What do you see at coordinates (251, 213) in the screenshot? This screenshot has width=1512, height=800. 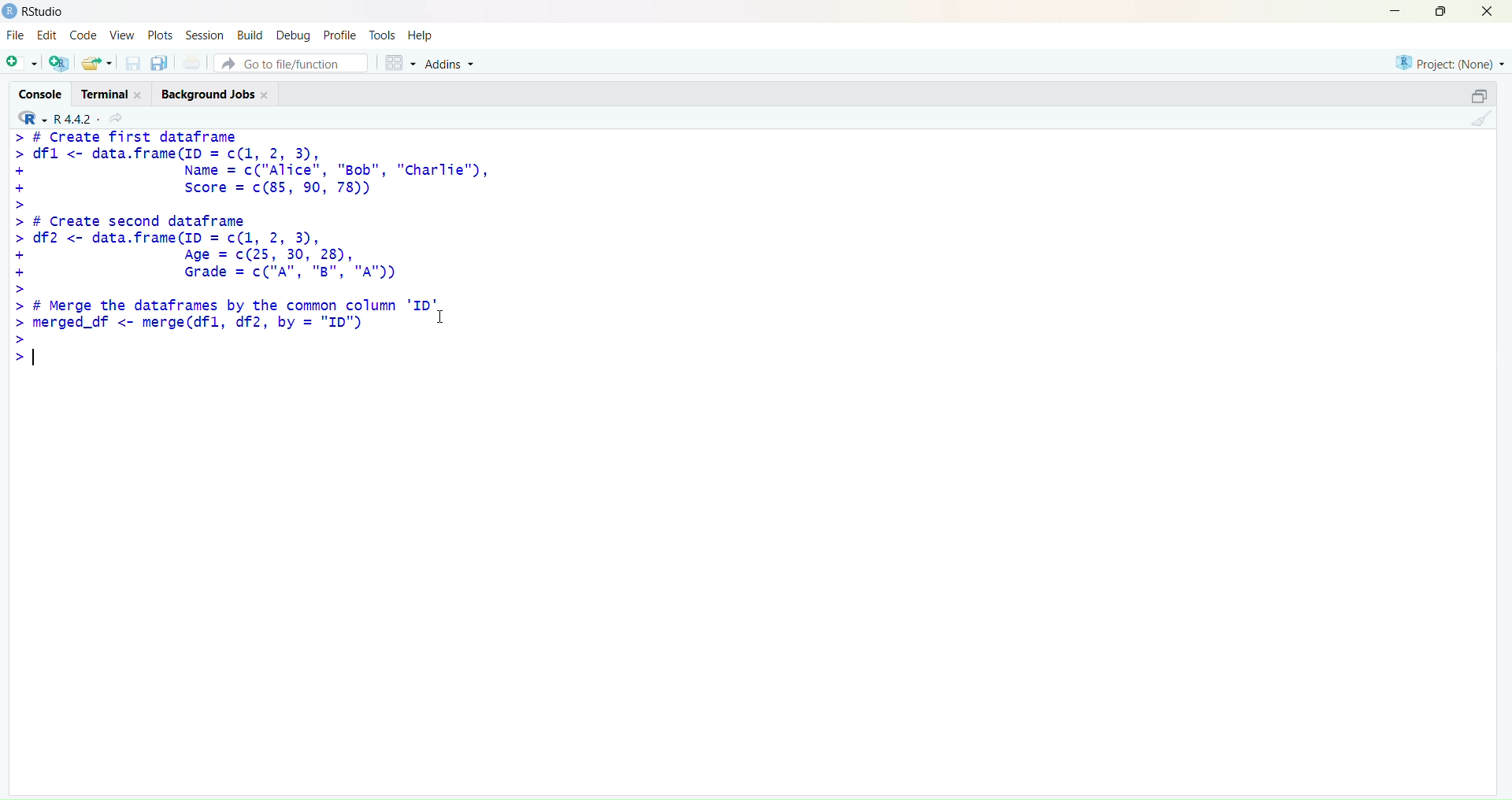 I see `# Create Tirst dataframe
dfl <- data.frame(ID = c(1, 2, 3),
Name = c("Alice", "Bob", "Char
Score = c(85, 90, 78))
# Create second dataframe
df2 <- data.frame(ID = c(1, 2, 3),
Age = c(25, 30, 28),
Grade = c("A", "B", "A"))` at bounding box center [251, 213].